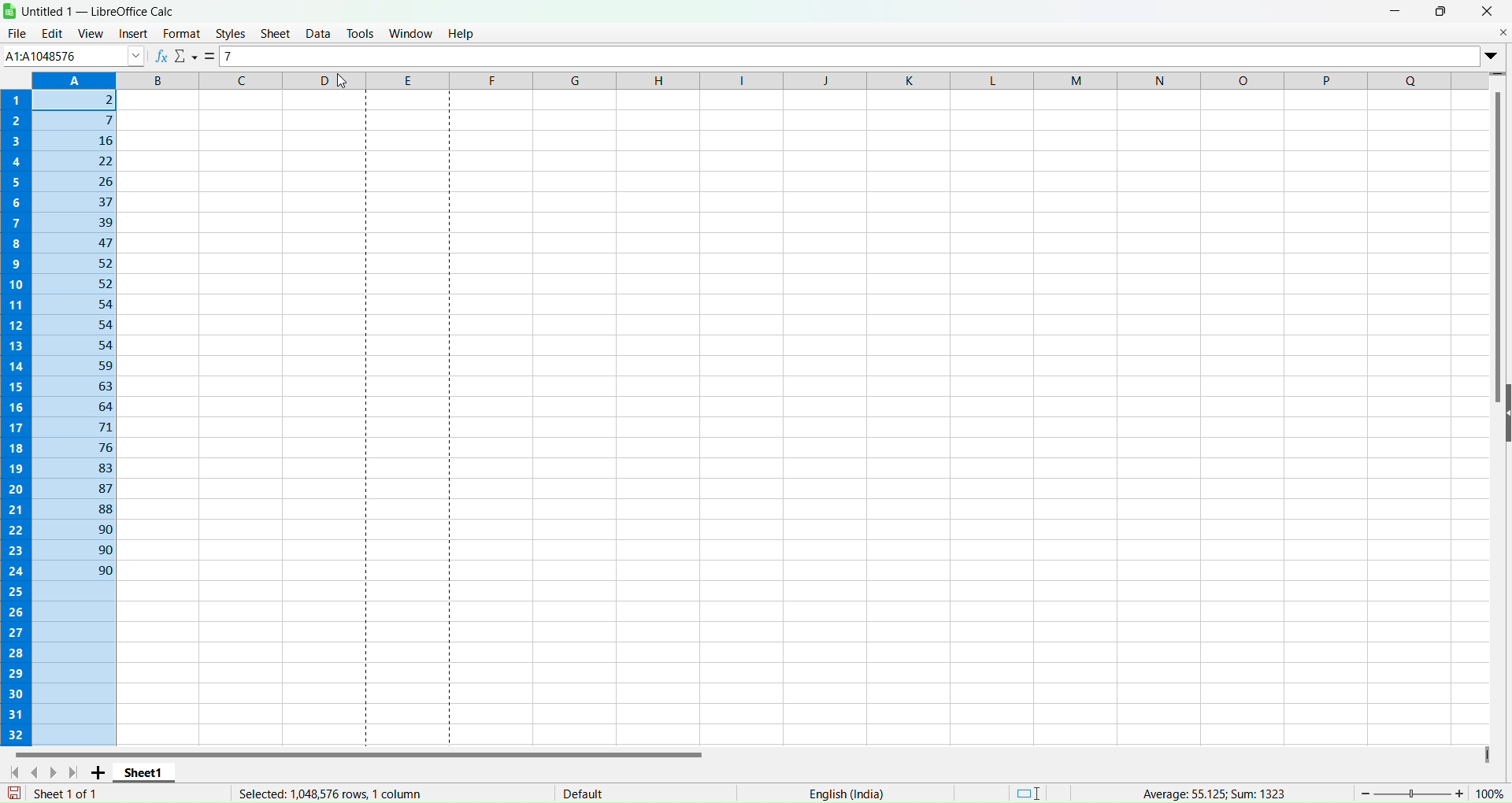  Describe the element at coordinates (361, 751) in the screenshot. I see `Horizontal Scroll Bar` at that location.